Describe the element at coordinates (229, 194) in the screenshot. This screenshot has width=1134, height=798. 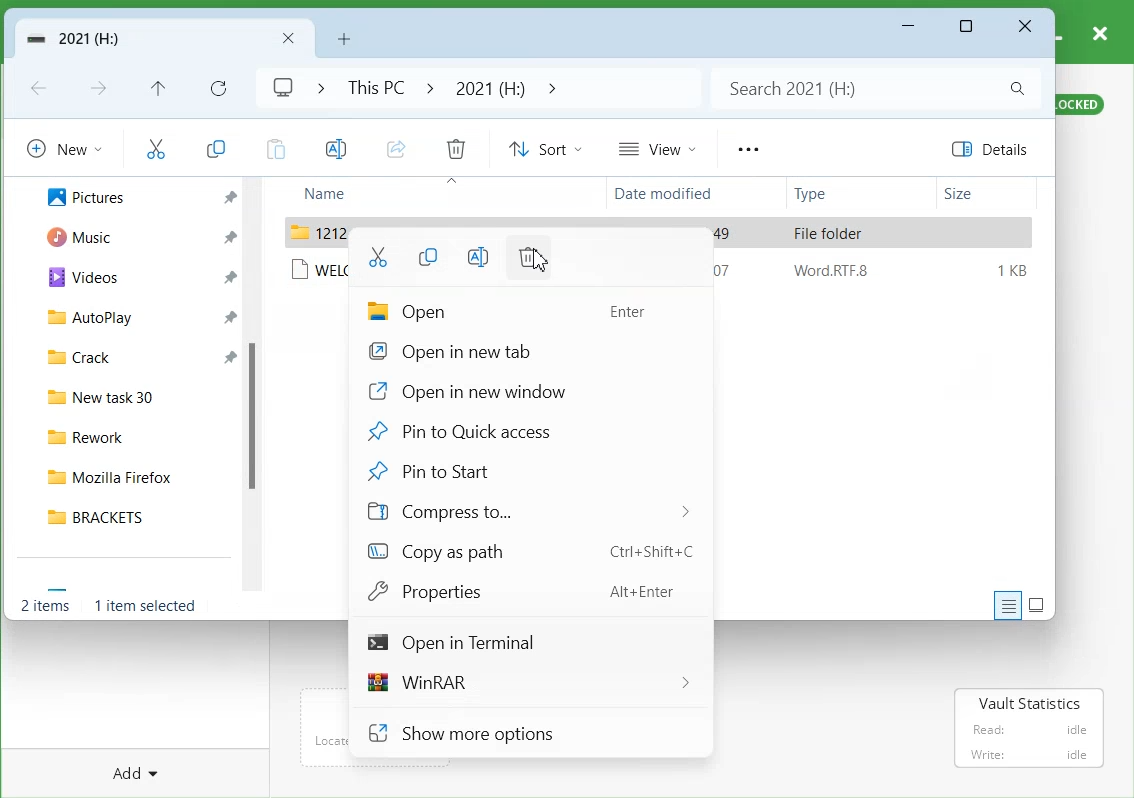
I see `Pin a file` at that location.